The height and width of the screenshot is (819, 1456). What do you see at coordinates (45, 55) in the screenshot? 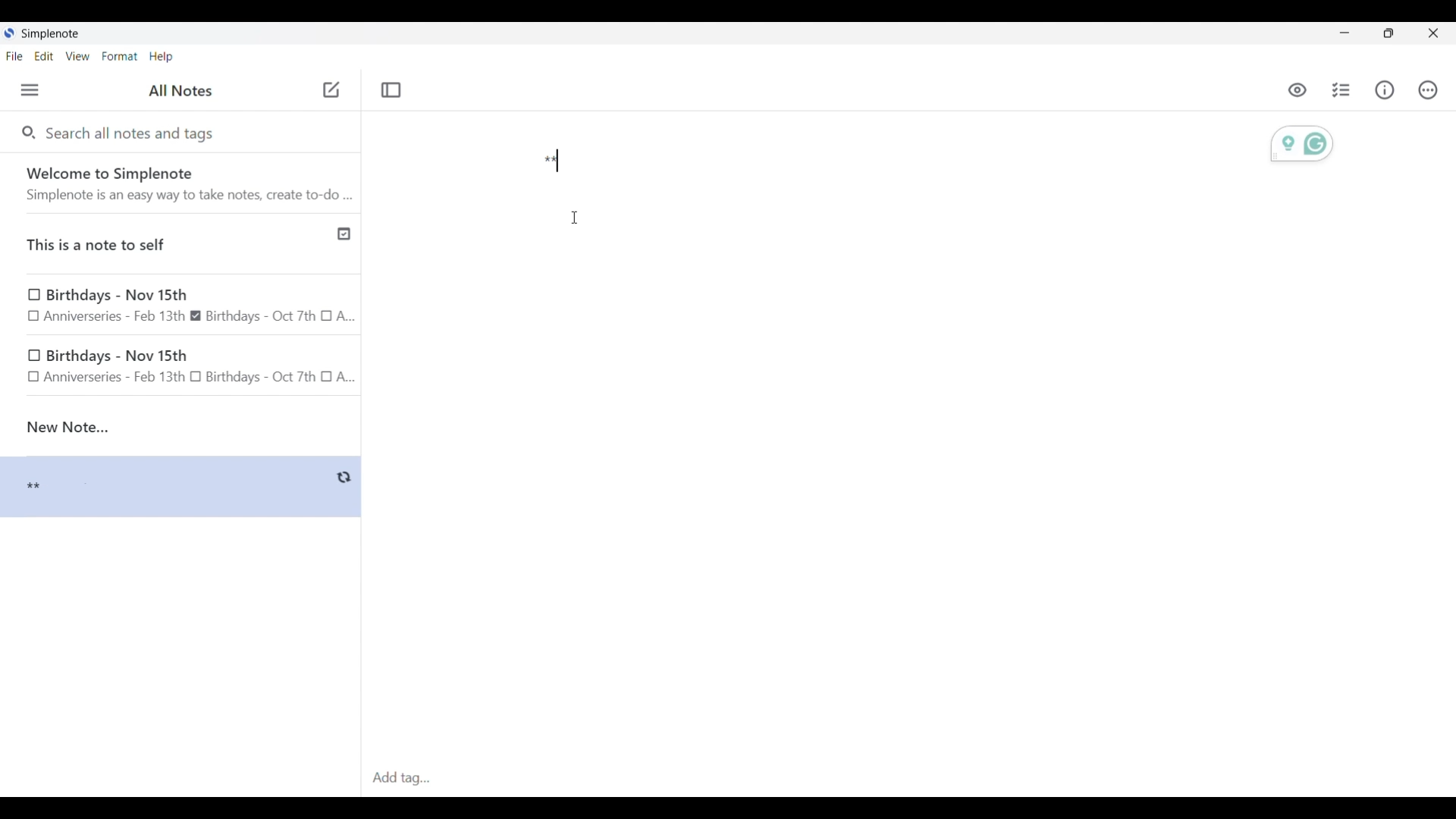
I see `Edit menu` at bounding box center [45, 55].